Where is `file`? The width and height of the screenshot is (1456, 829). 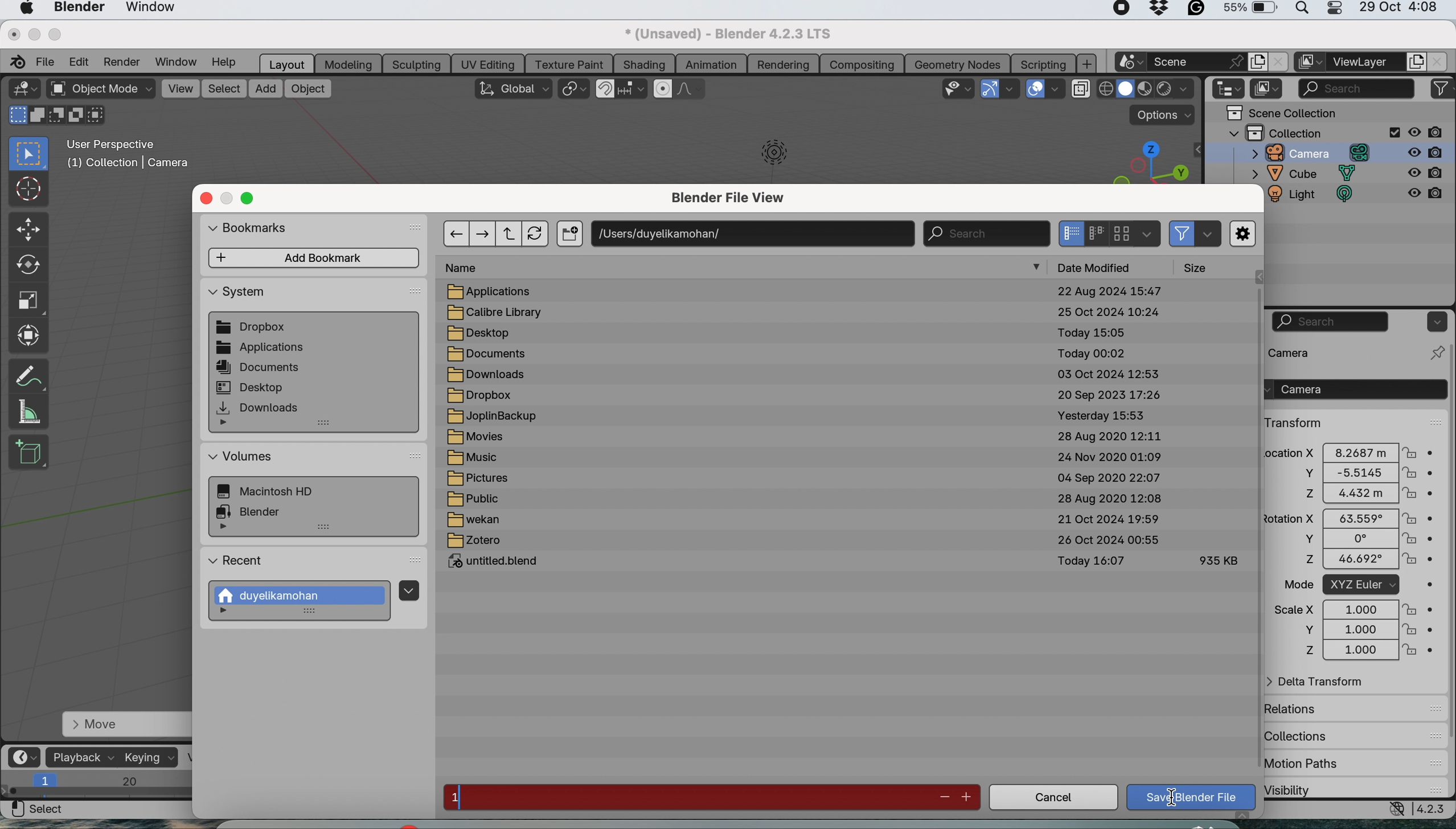 file is located at coordinates (47, 60).